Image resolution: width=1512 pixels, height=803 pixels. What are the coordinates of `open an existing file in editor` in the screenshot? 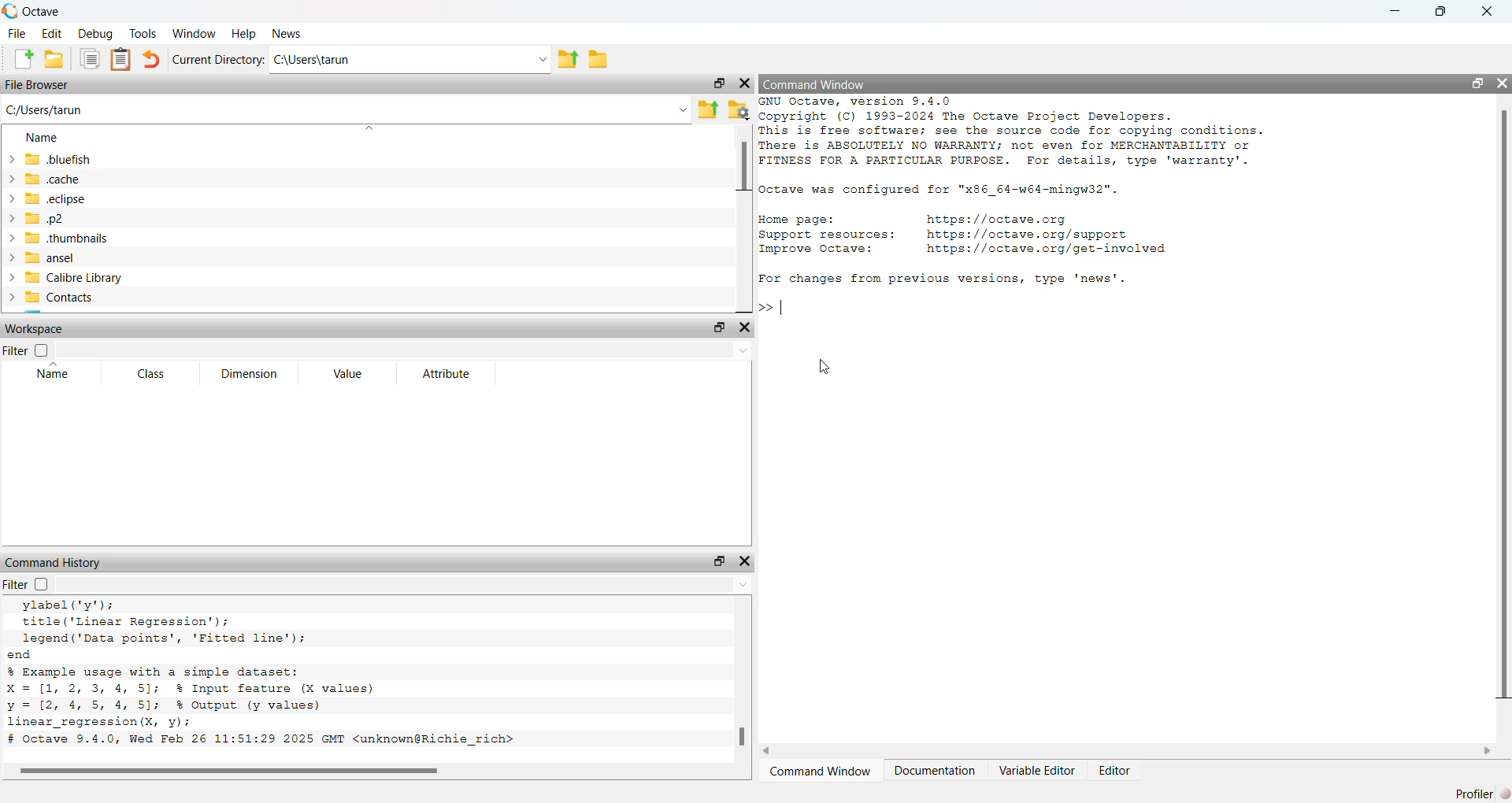 It's located at (55, 60).